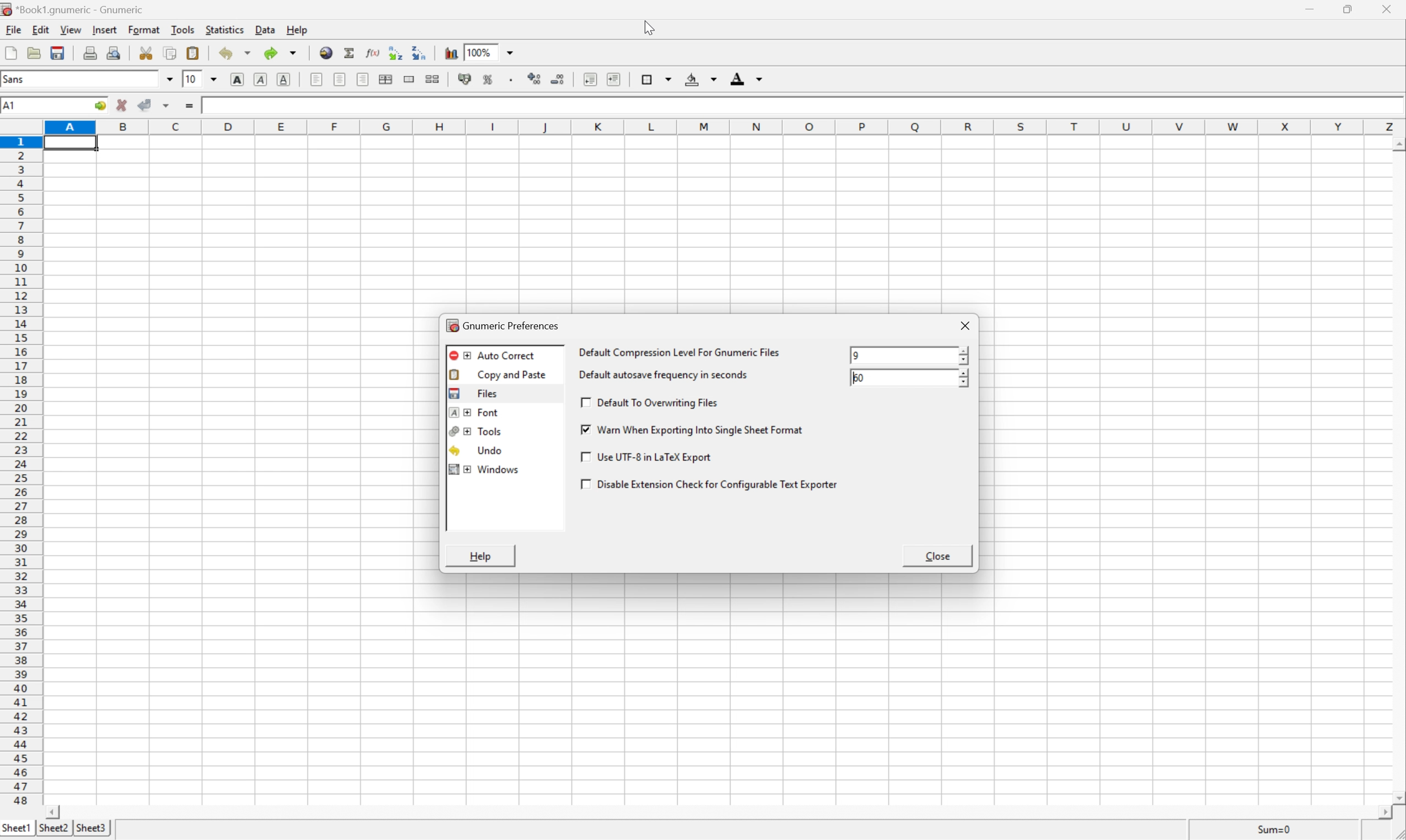 The image size is (1406, 840). I want to click on new, so click(11, 53).